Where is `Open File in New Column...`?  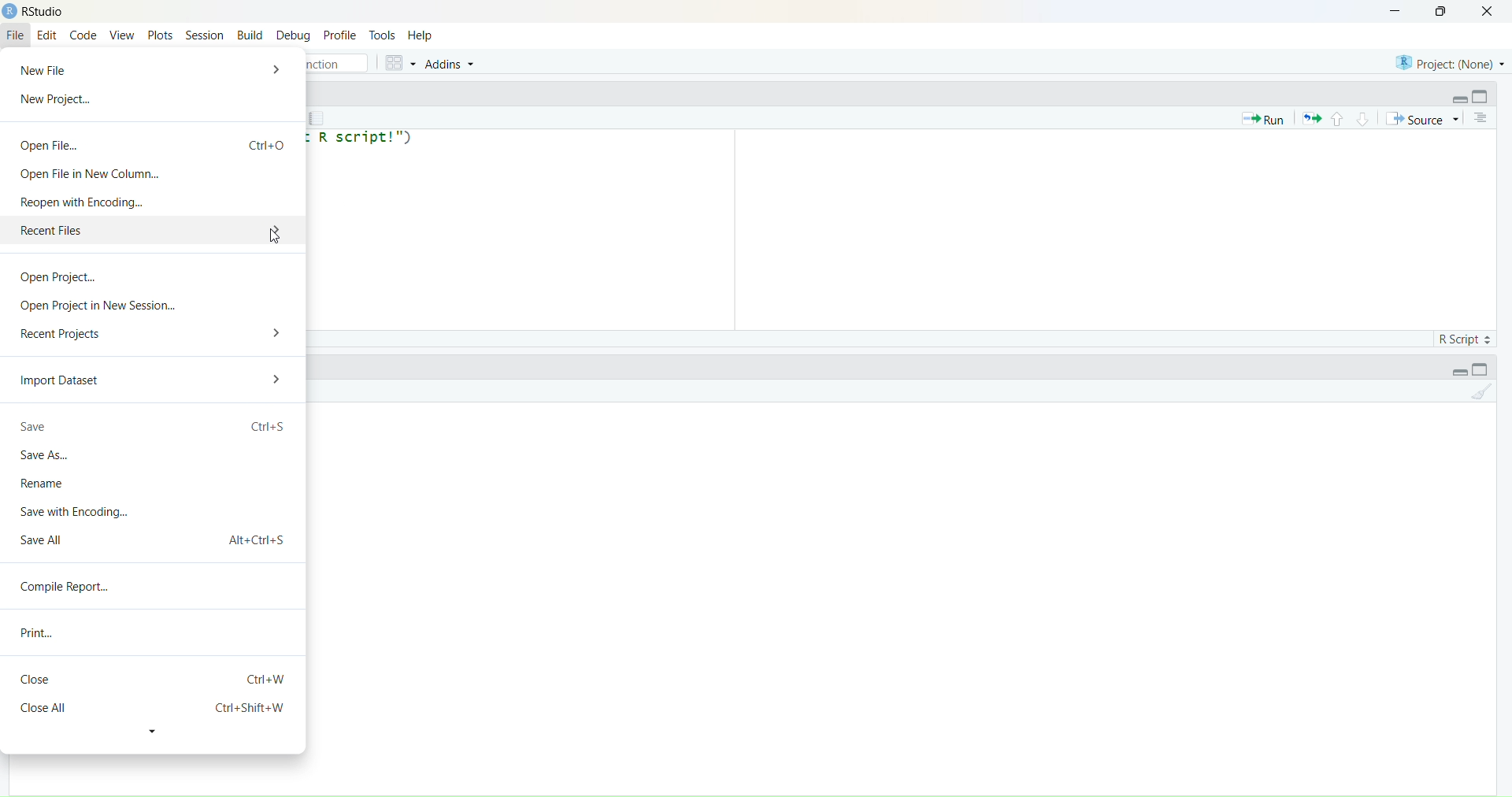 Open File in New Column... is located at coordinates (87, 173).